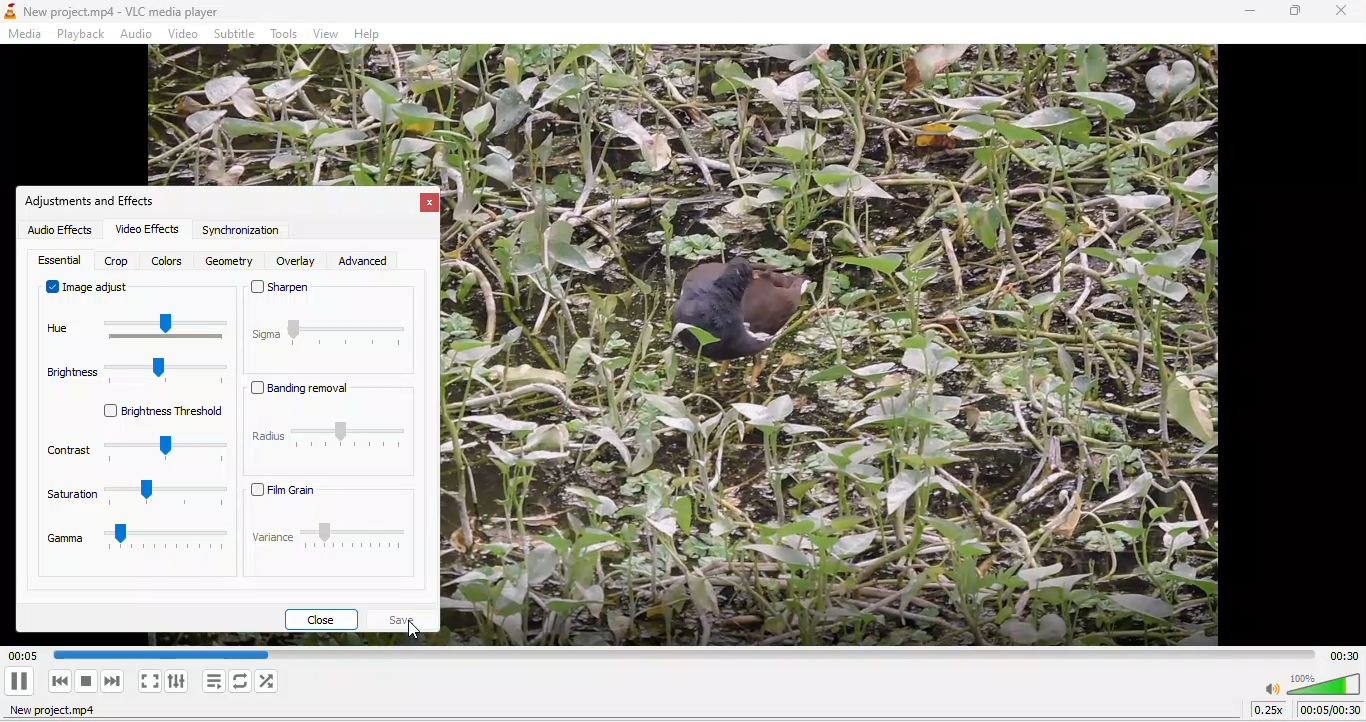  I want to click on synchronization, so click(245, 233).